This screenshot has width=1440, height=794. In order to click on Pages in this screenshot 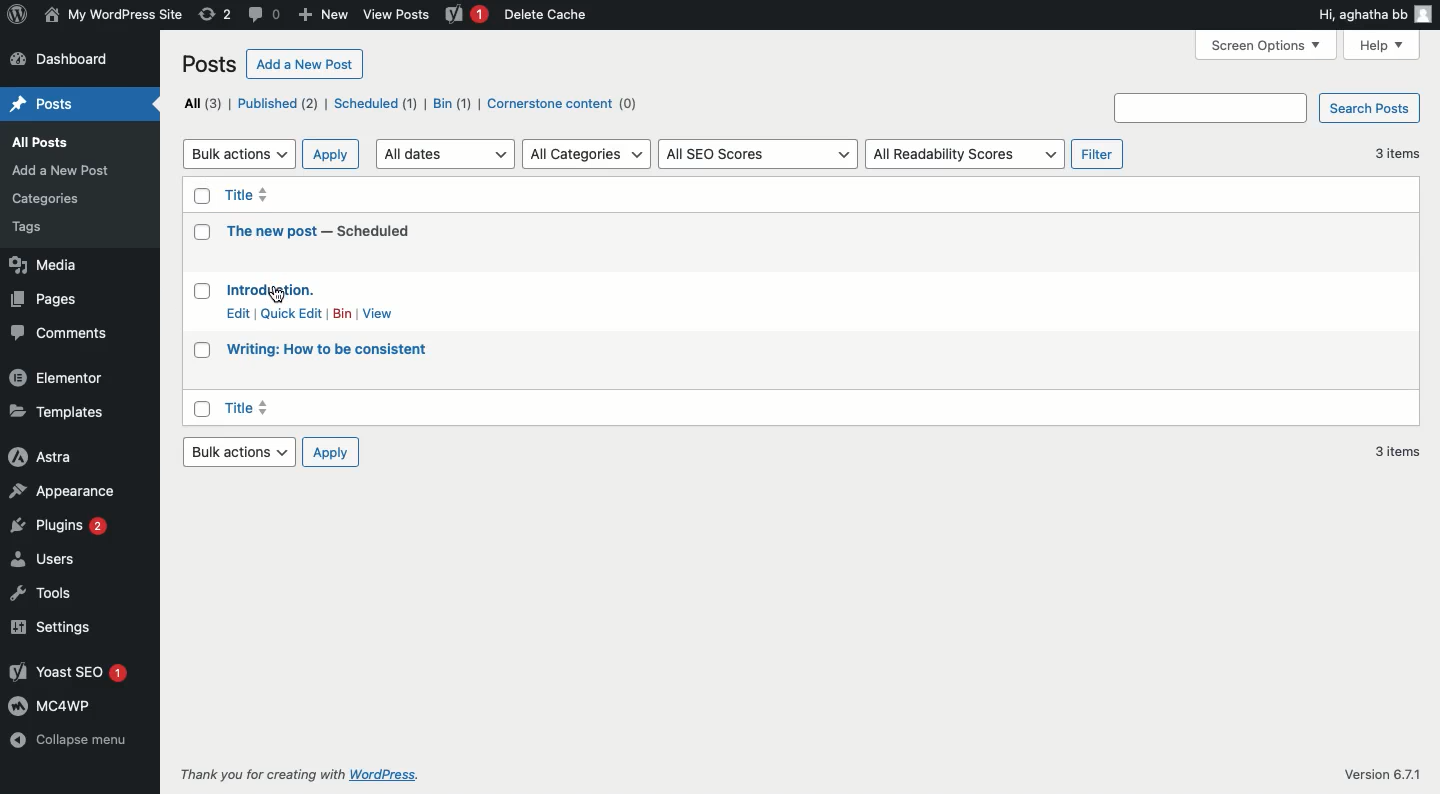, I will do `click(48, 297)`.